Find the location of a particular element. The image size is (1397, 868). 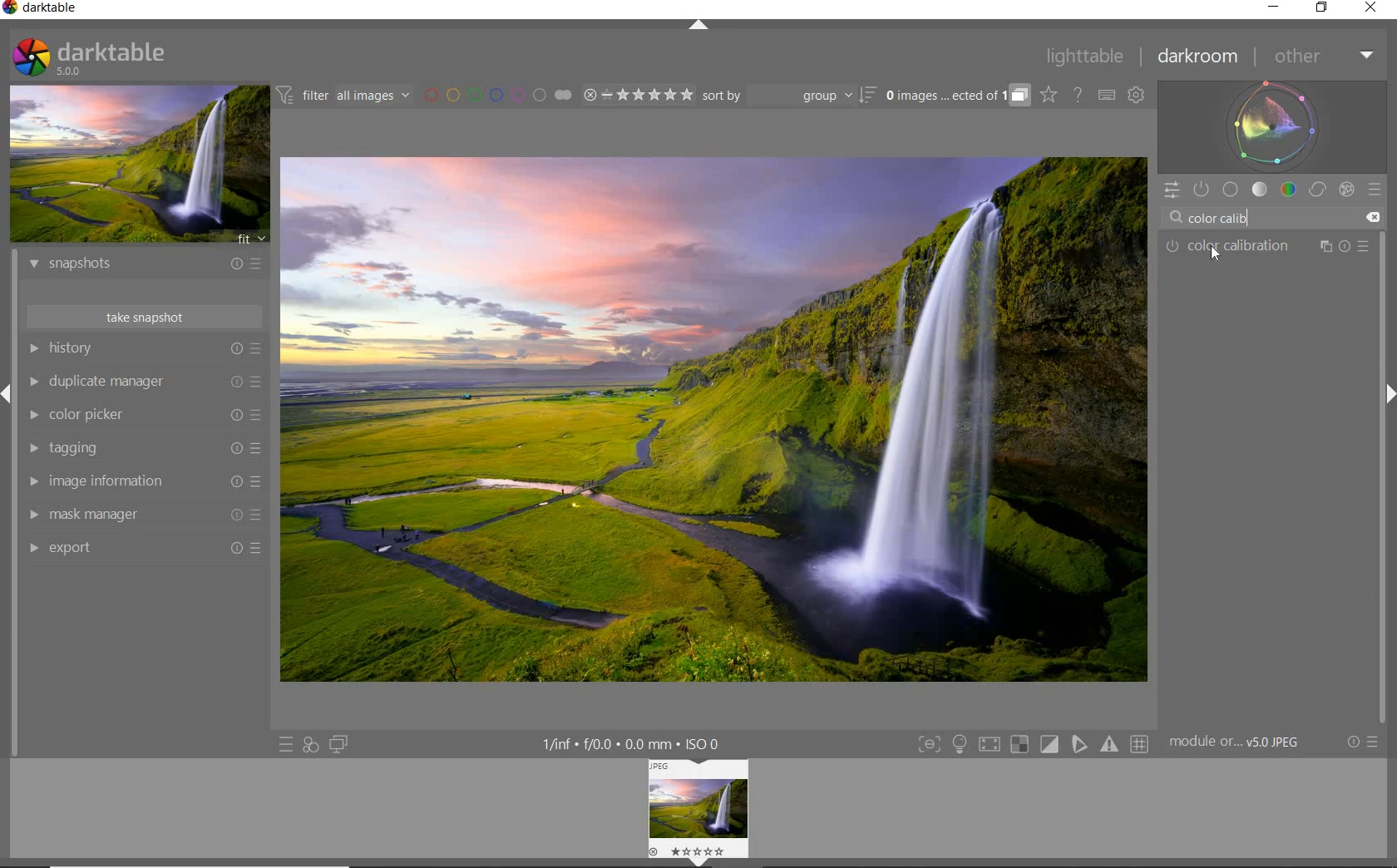

waveform is located at coordinates (1273, 126).